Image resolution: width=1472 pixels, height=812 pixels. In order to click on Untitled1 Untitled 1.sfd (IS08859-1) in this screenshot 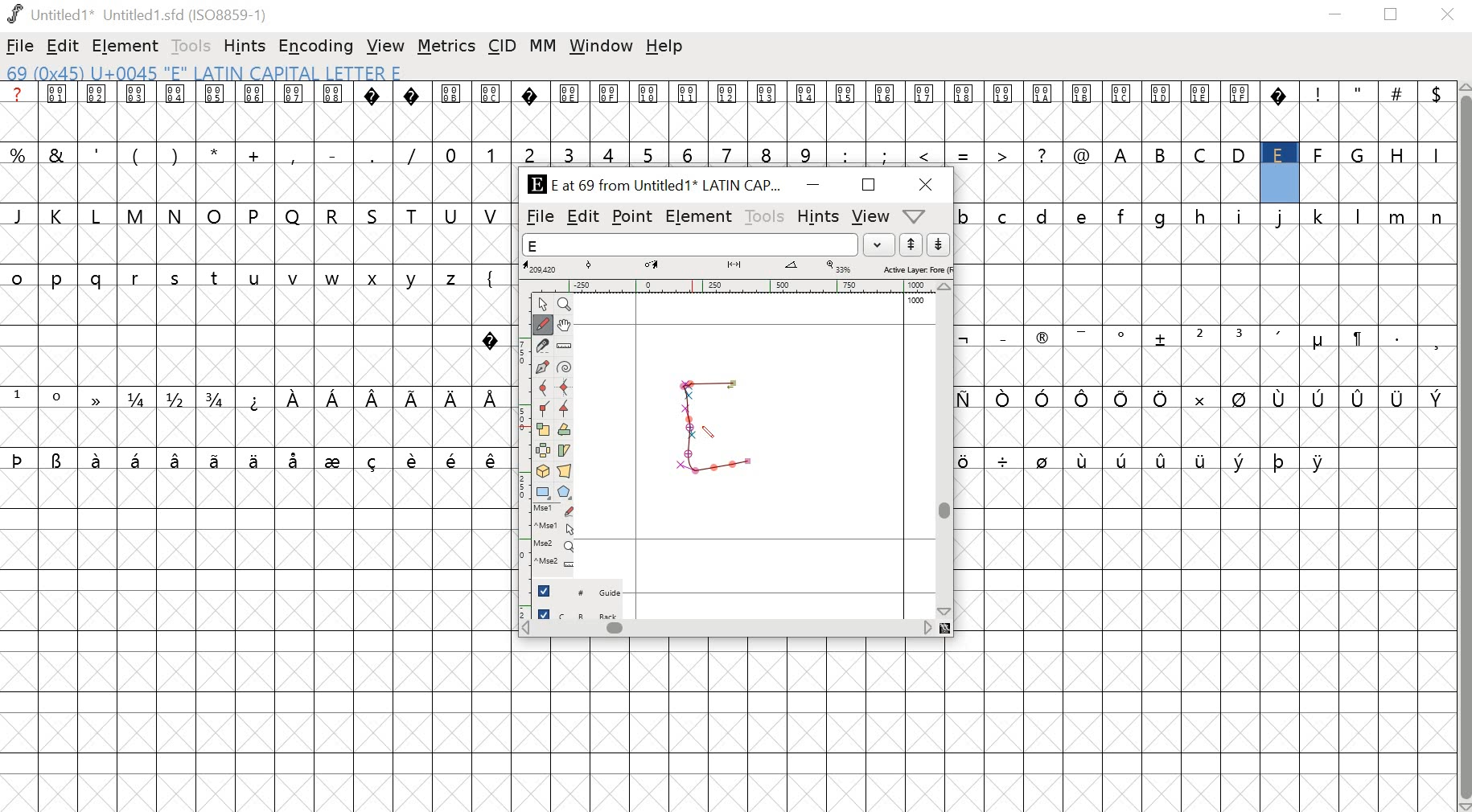, I will do `click(135, 14)`.